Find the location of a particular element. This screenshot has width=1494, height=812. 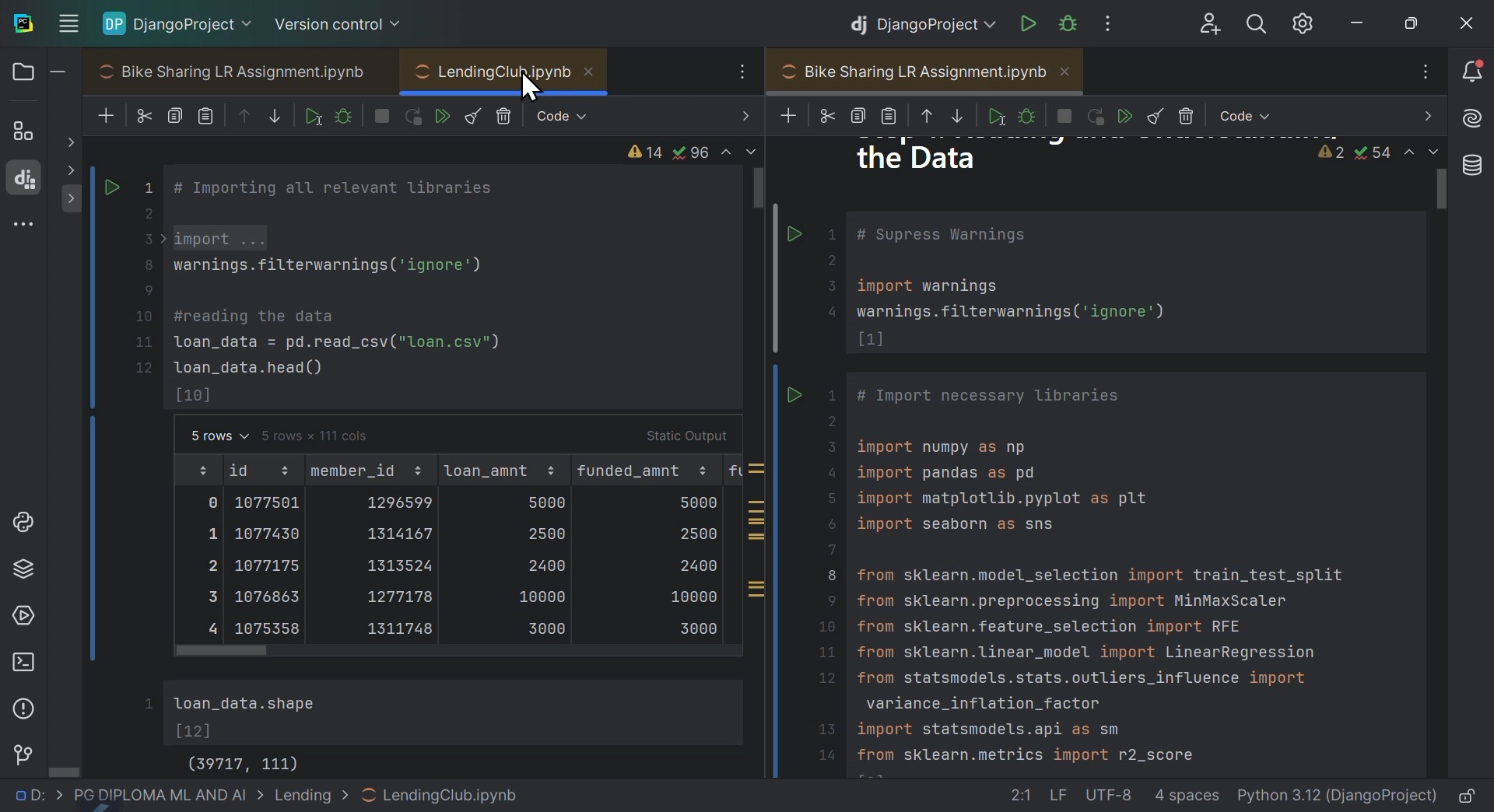

 is located at coordinates (955, 115).